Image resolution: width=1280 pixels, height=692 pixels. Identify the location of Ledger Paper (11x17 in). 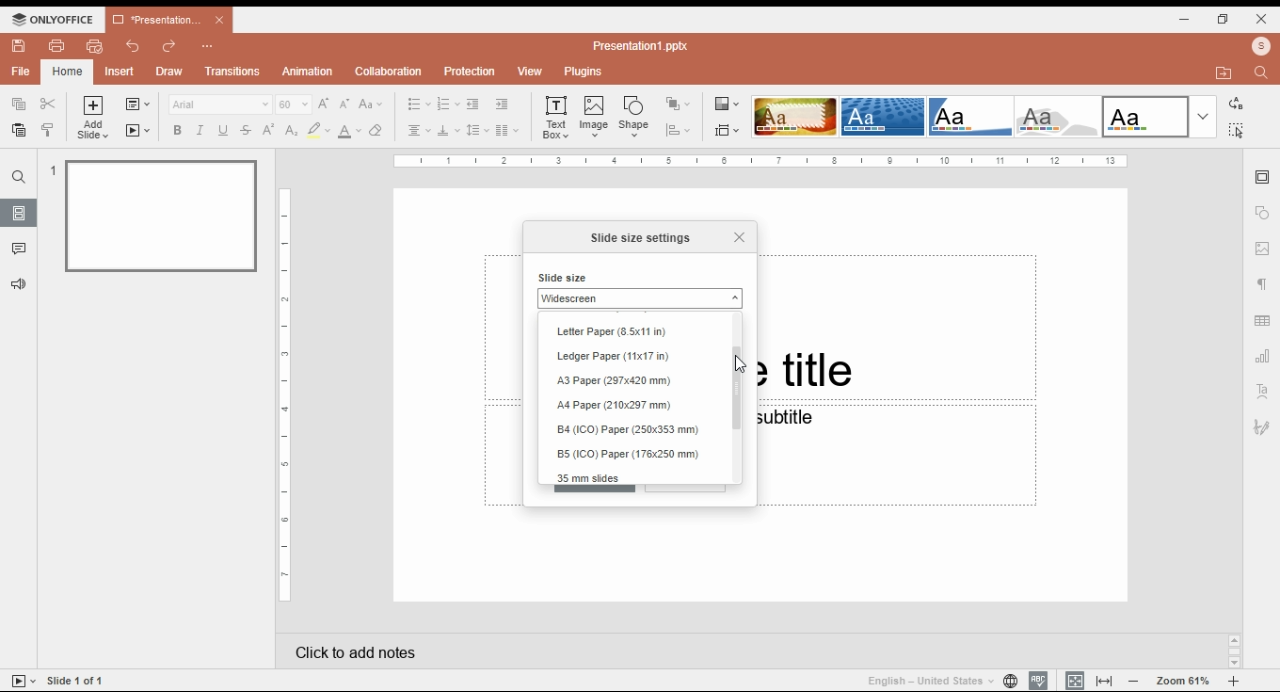
(616, 357).